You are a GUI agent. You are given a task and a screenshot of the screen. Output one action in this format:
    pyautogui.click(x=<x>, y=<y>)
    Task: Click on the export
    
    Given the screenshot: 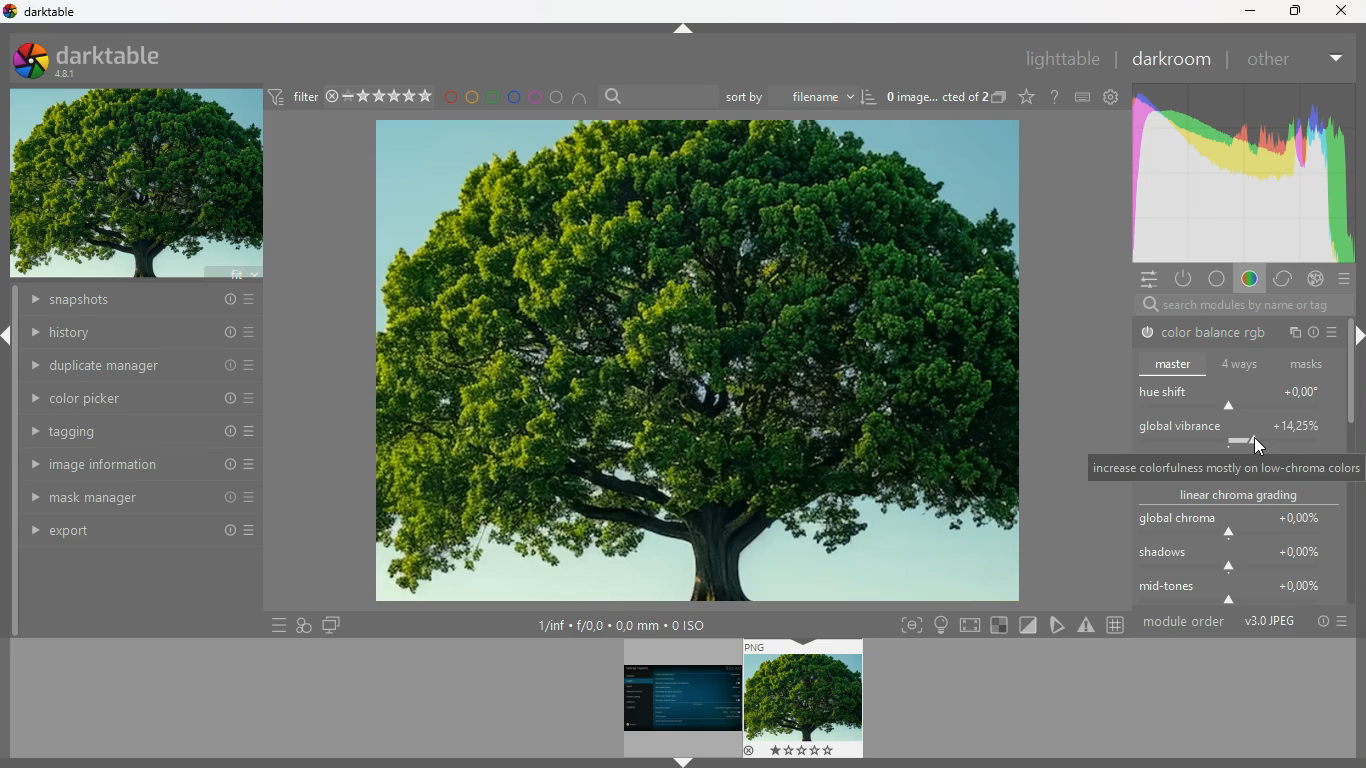 What is the action you would take?
    pyautogui.click(x=145, y=533)
    